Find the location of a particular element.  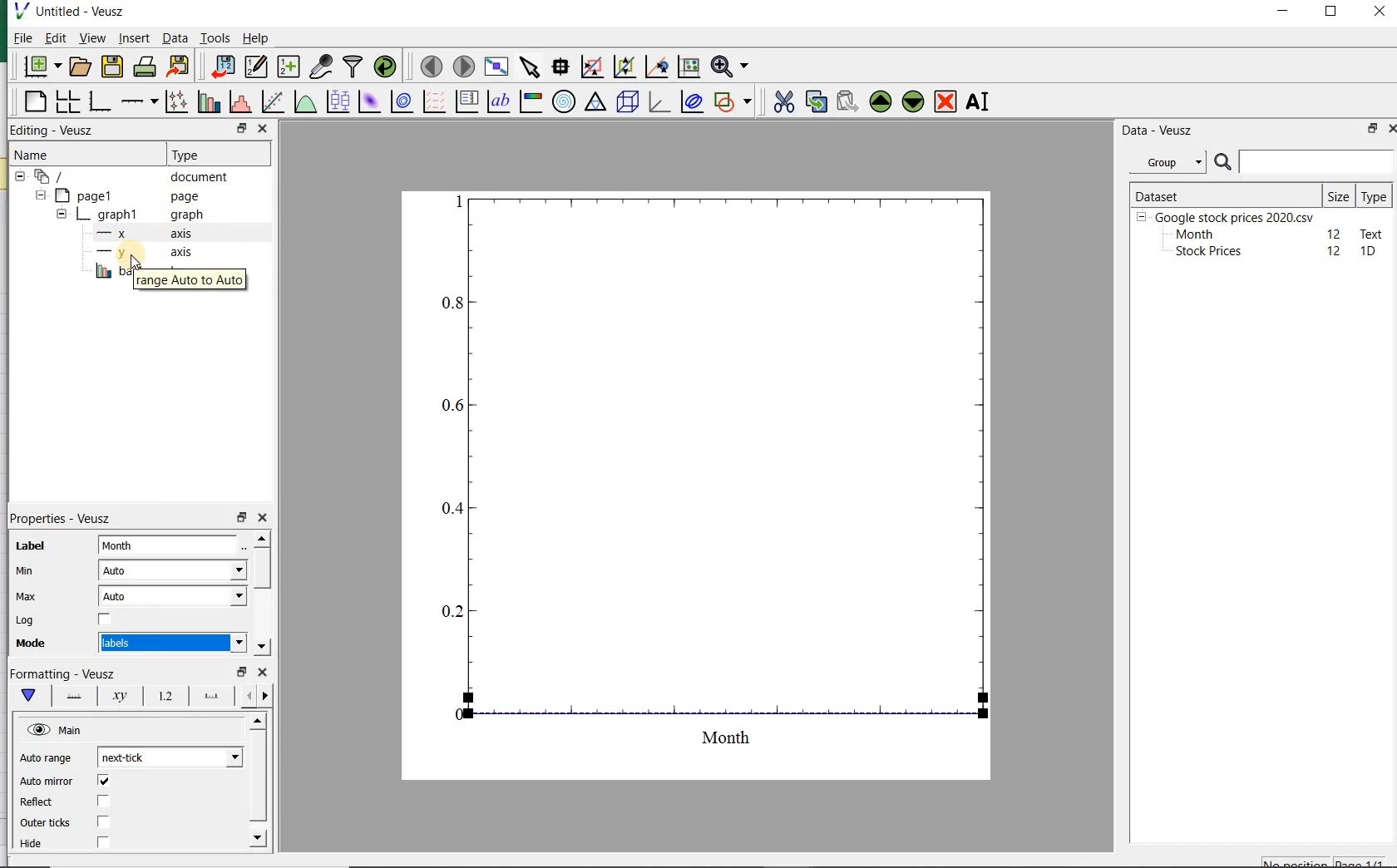

Data - Veusz is located at coordinates (1158, 130).